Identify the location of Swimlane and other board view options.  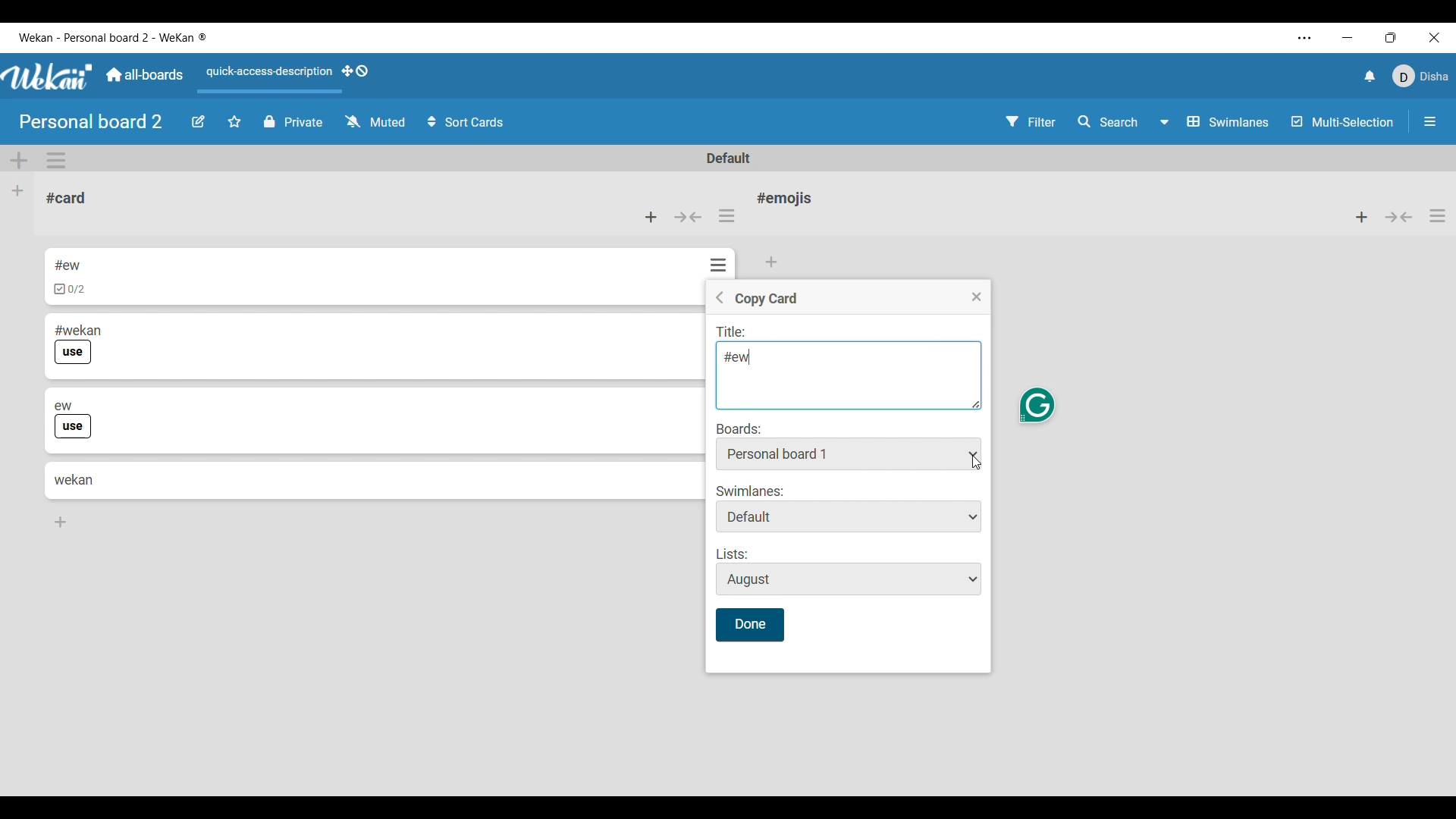
(1216, 122).